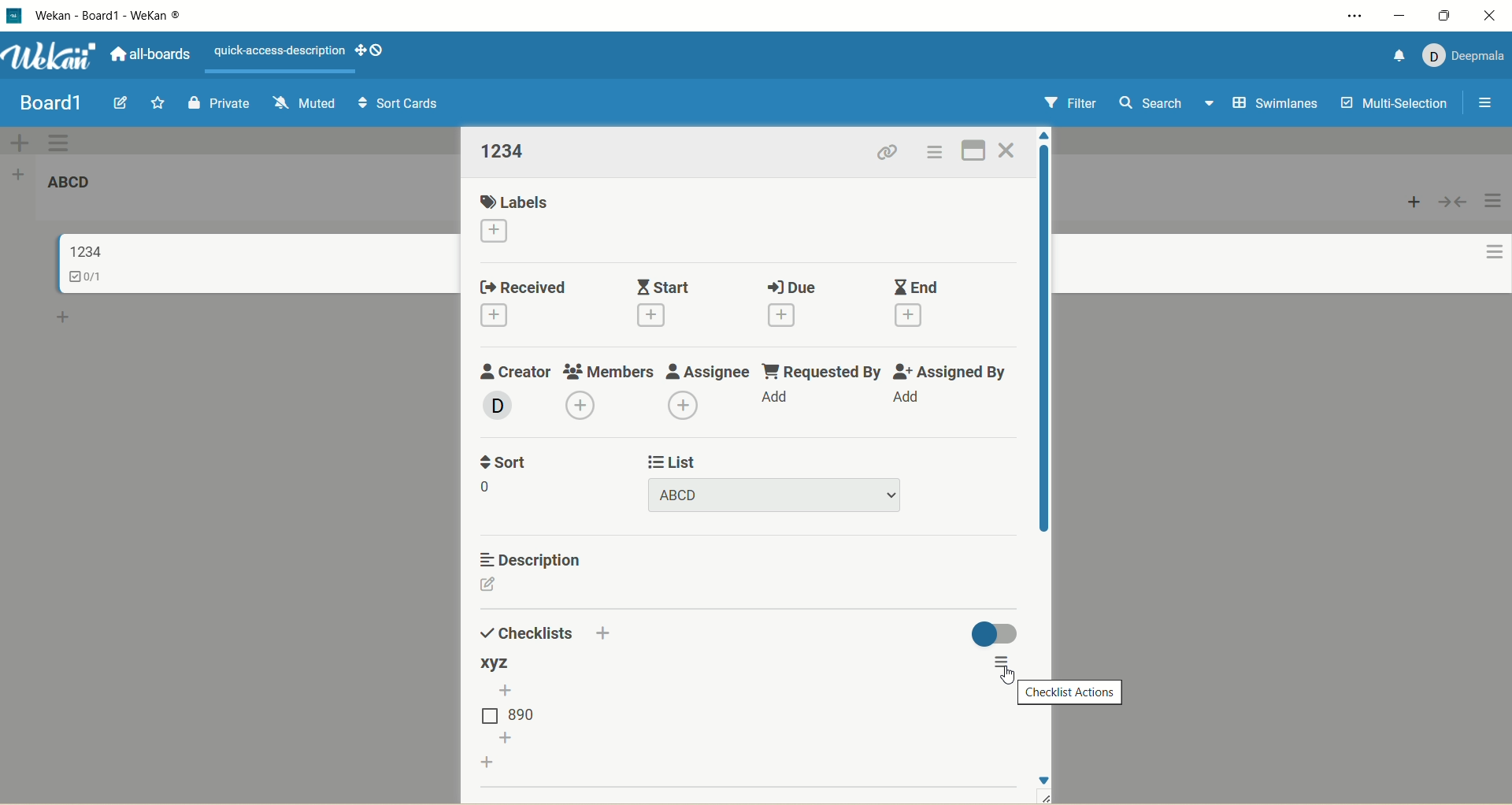 The image size is (1512, 805). Describe the element at coordinates (506, 689) in the screenshot. I see `add checklist` at that location.